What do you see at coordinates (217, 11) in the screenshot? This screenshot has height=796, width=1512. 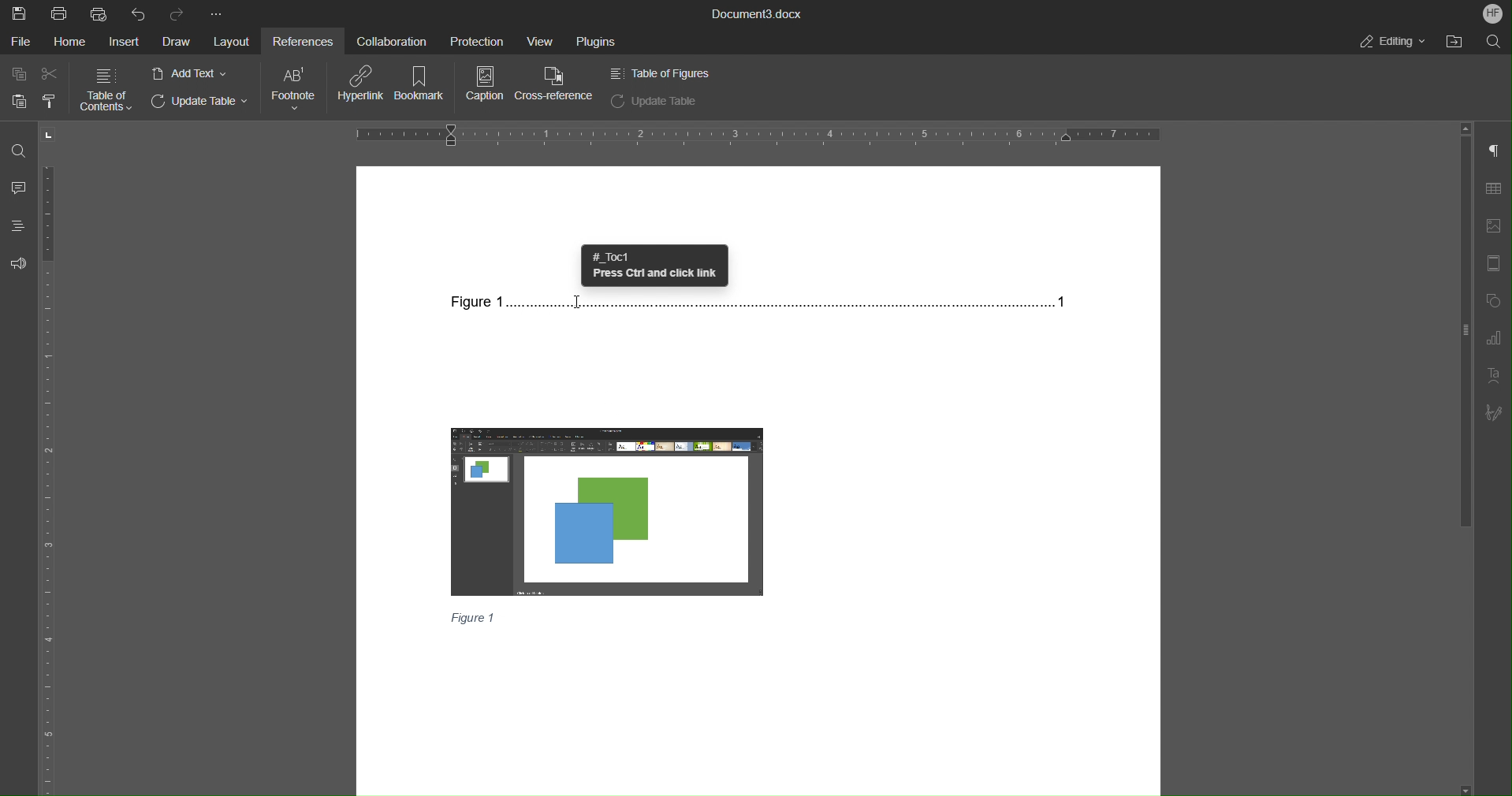 I see `More` at bounding box center [217, 11].